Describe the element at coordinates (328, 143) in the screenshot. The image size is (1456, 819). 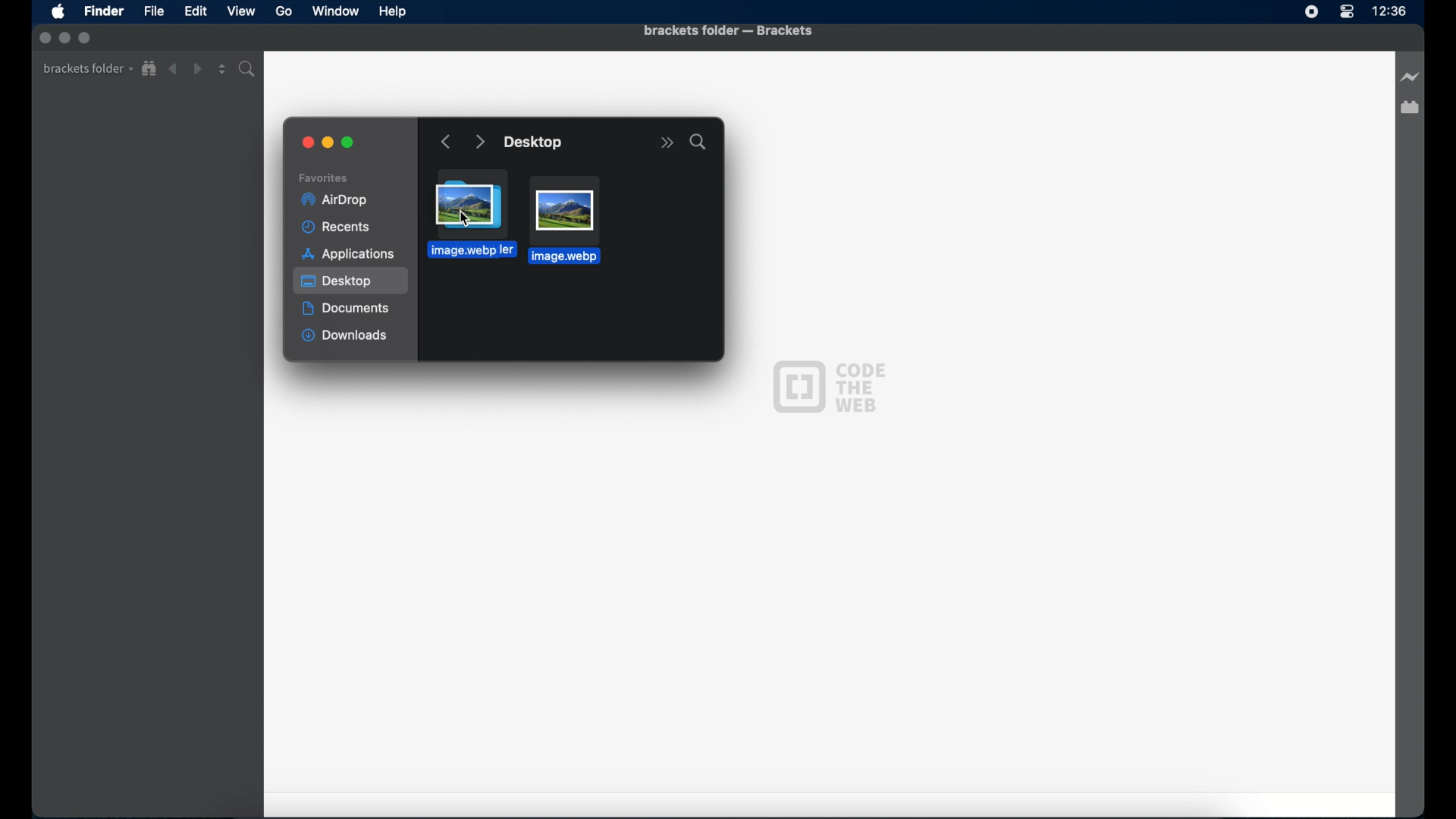
I see `minimize` at that location.